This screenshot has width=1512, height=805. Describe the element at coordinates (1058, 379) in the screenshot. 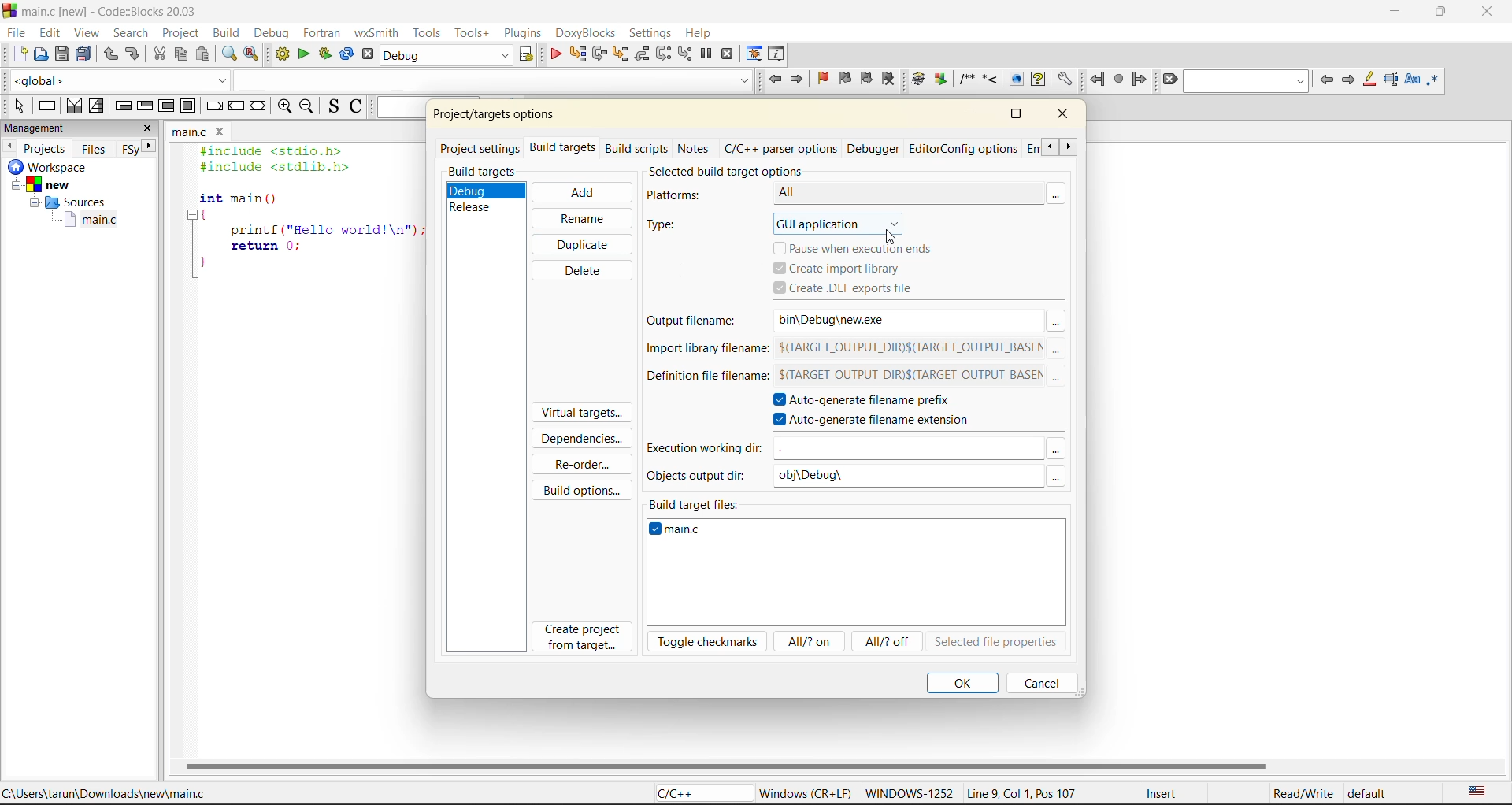

I see `More` at that location.